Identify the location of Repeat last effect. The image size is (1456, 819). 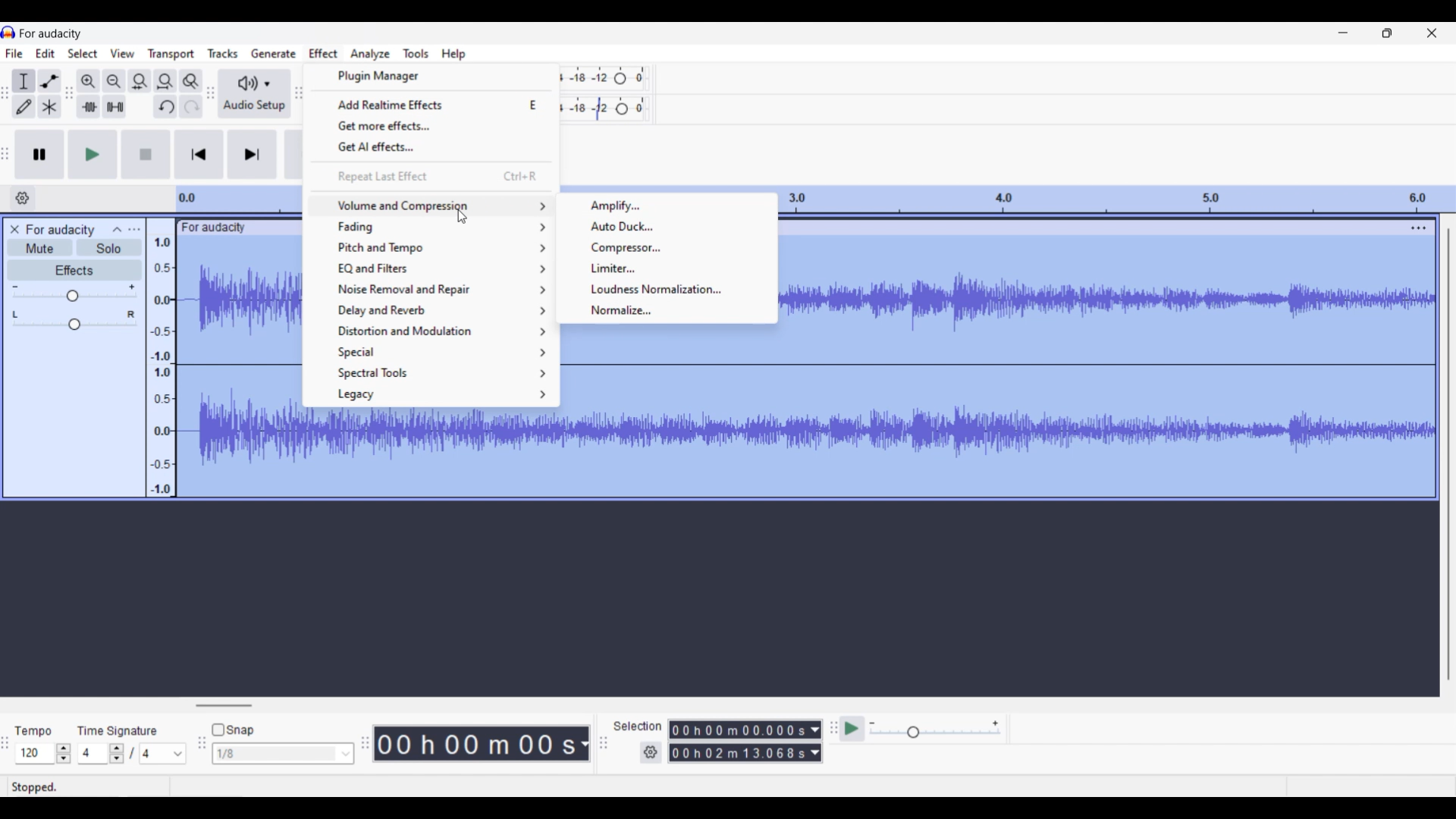
(431, 176).